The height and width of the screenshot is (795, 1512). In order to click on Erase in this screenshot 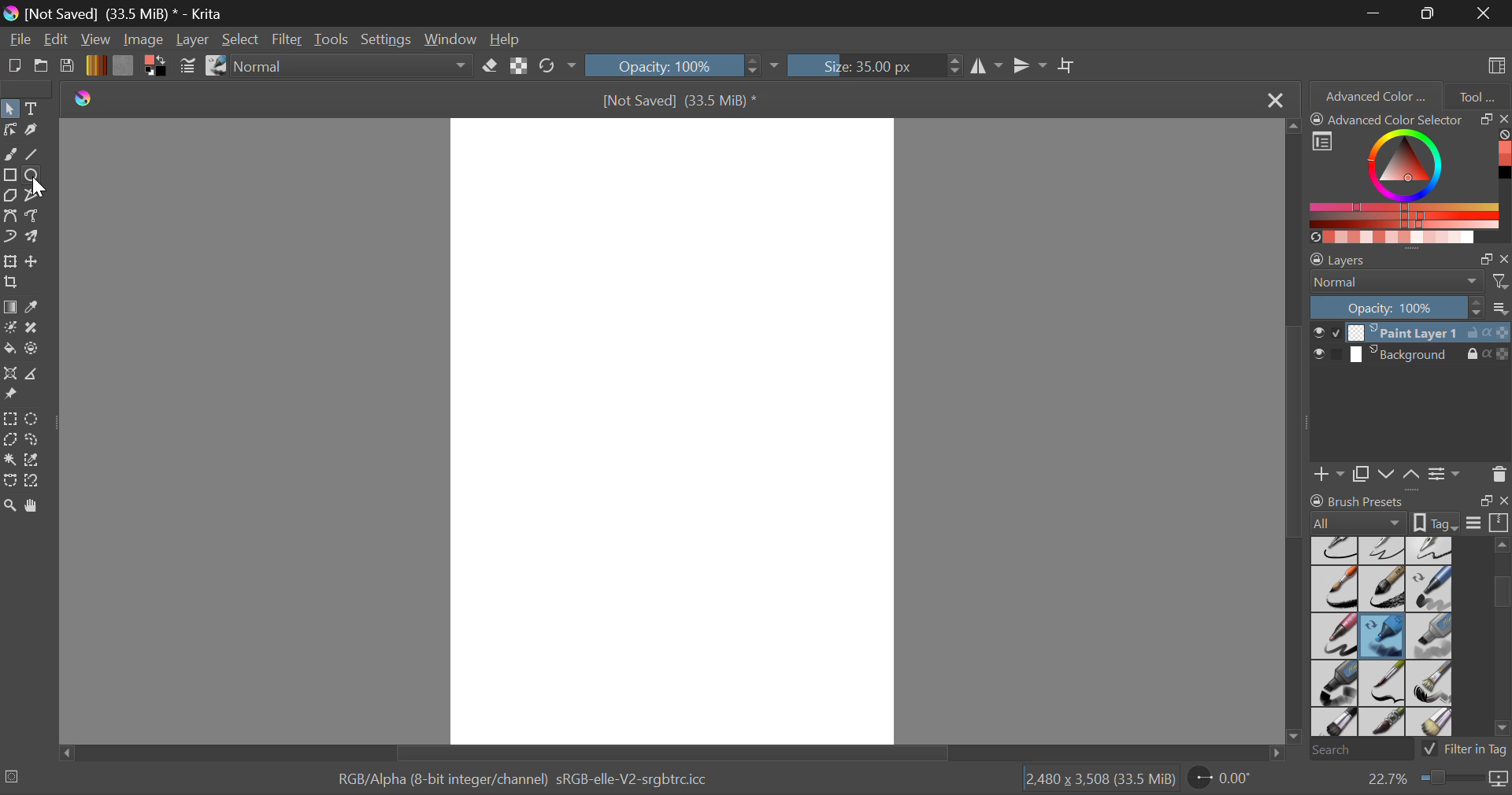, I will do `click(493, 68)`.